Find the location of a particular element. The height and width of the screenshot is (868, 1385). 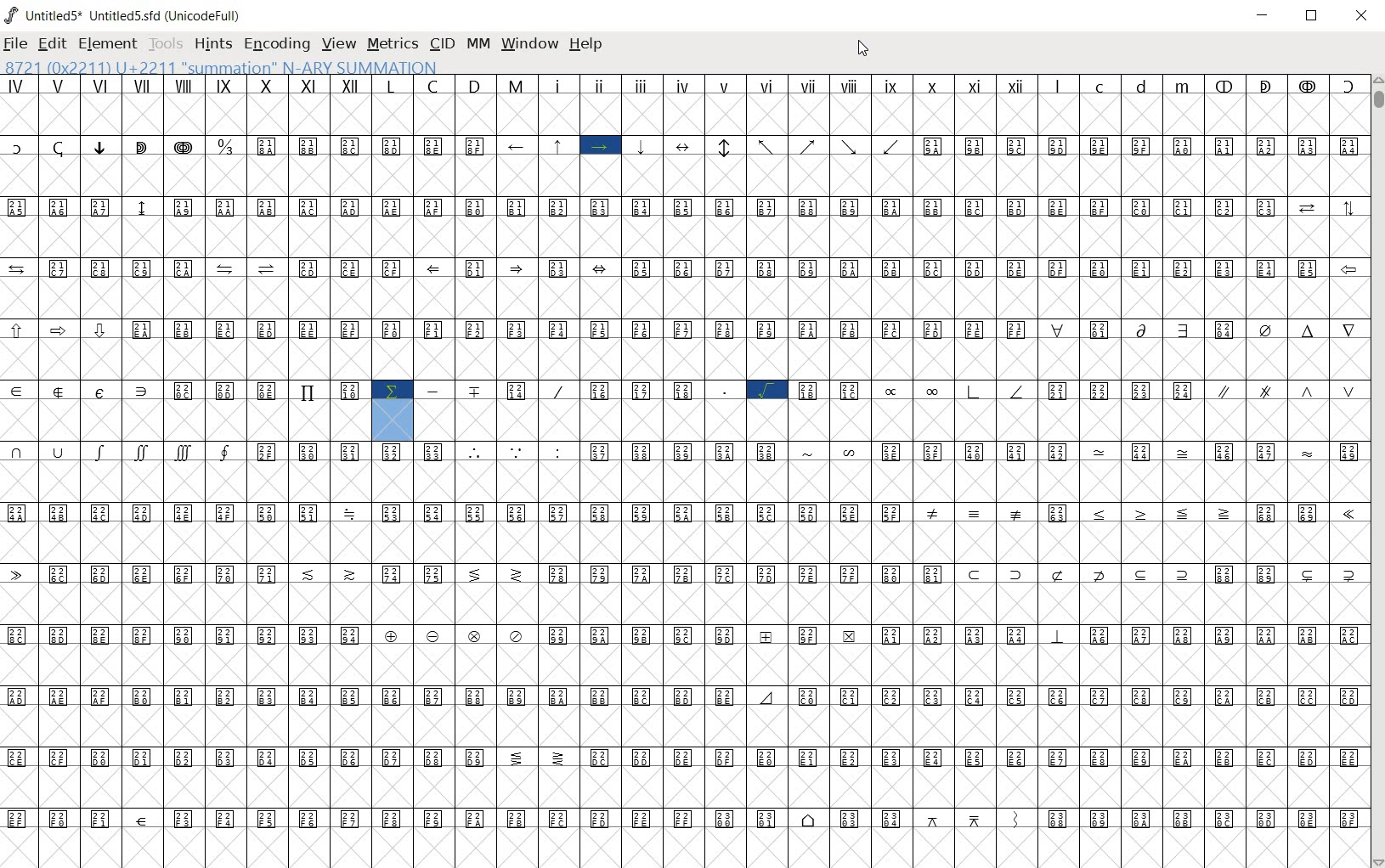

empty cells is located at coordinates (687, 359).